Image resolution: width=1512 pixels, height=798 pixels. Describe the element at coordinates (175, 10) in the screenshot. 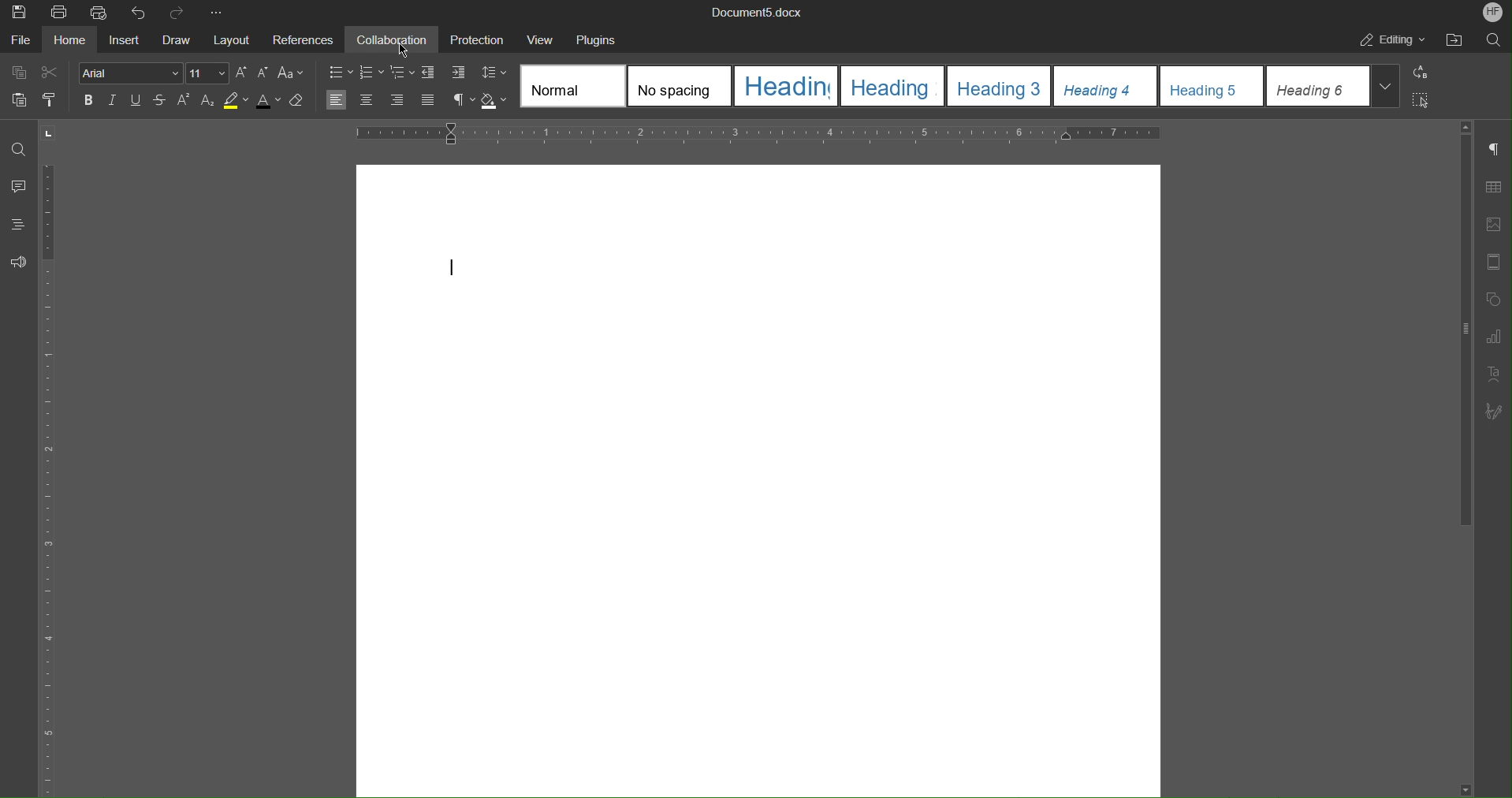

I see `Redo` at that location.